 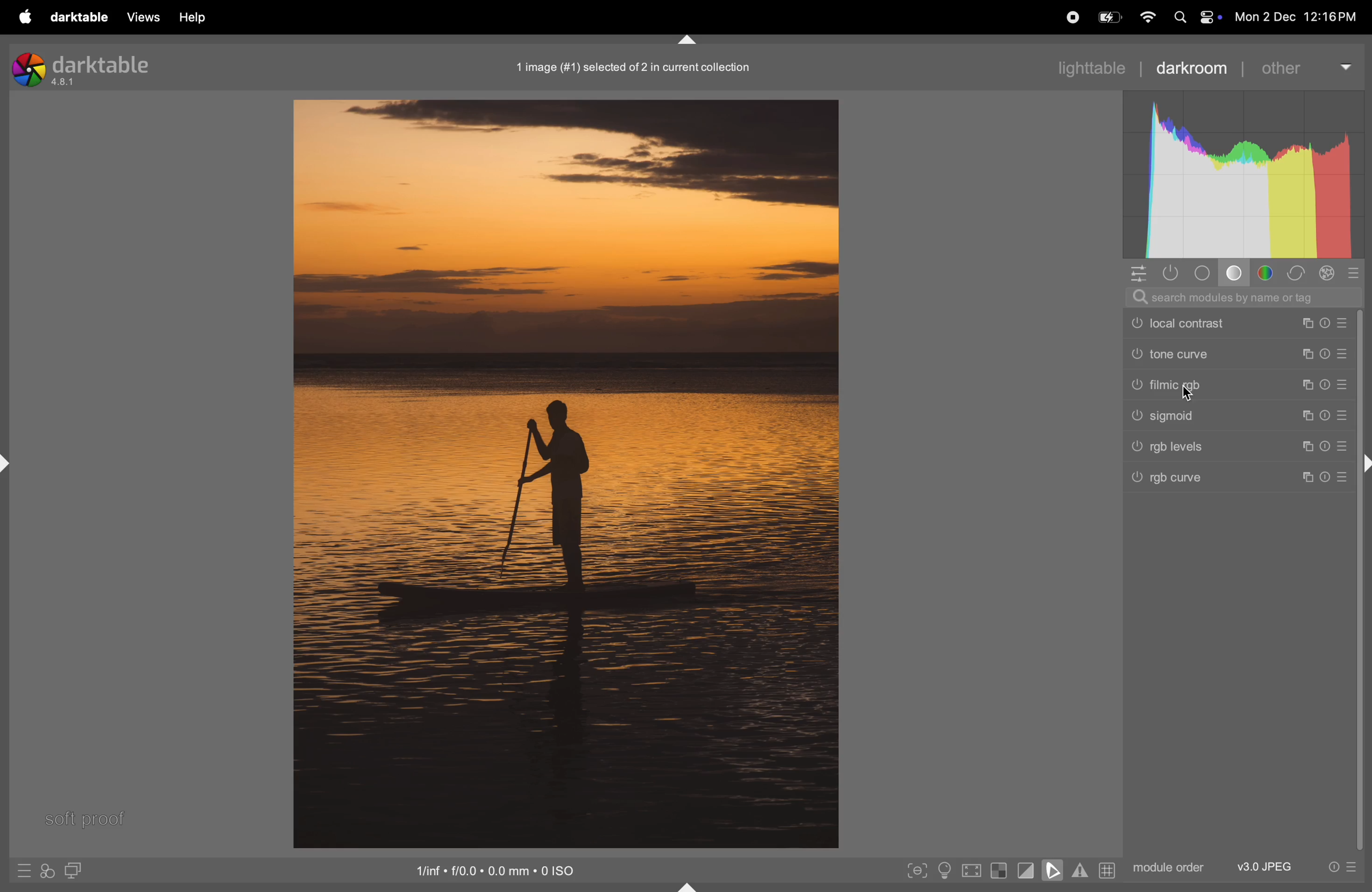 What do you see at coordinates (1106, 870) in the screenshot?
I see `grid` at bounding box center [1106, 870].